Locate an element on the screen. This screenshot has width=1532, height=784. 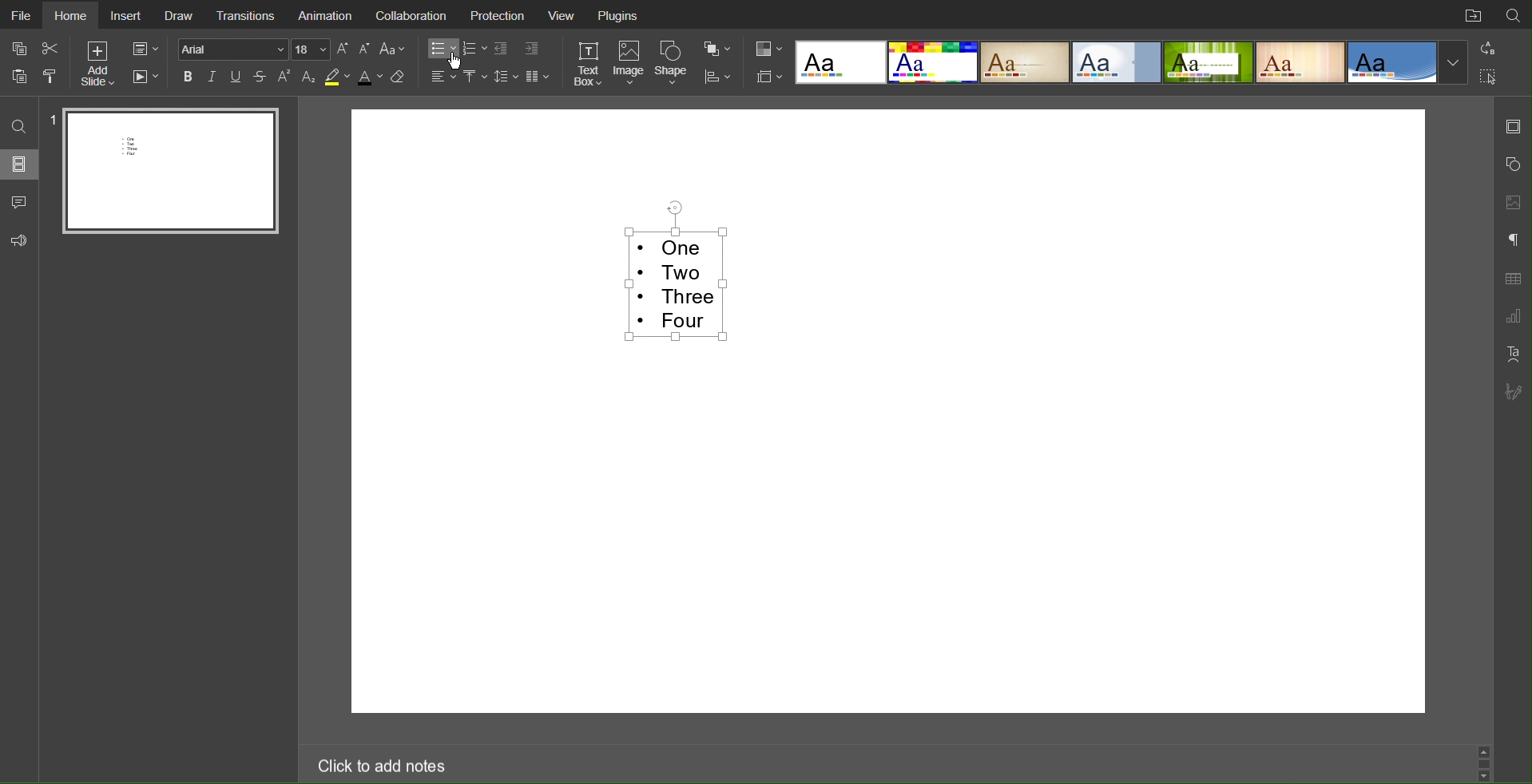
Erase is located at coordinates (399, 76).